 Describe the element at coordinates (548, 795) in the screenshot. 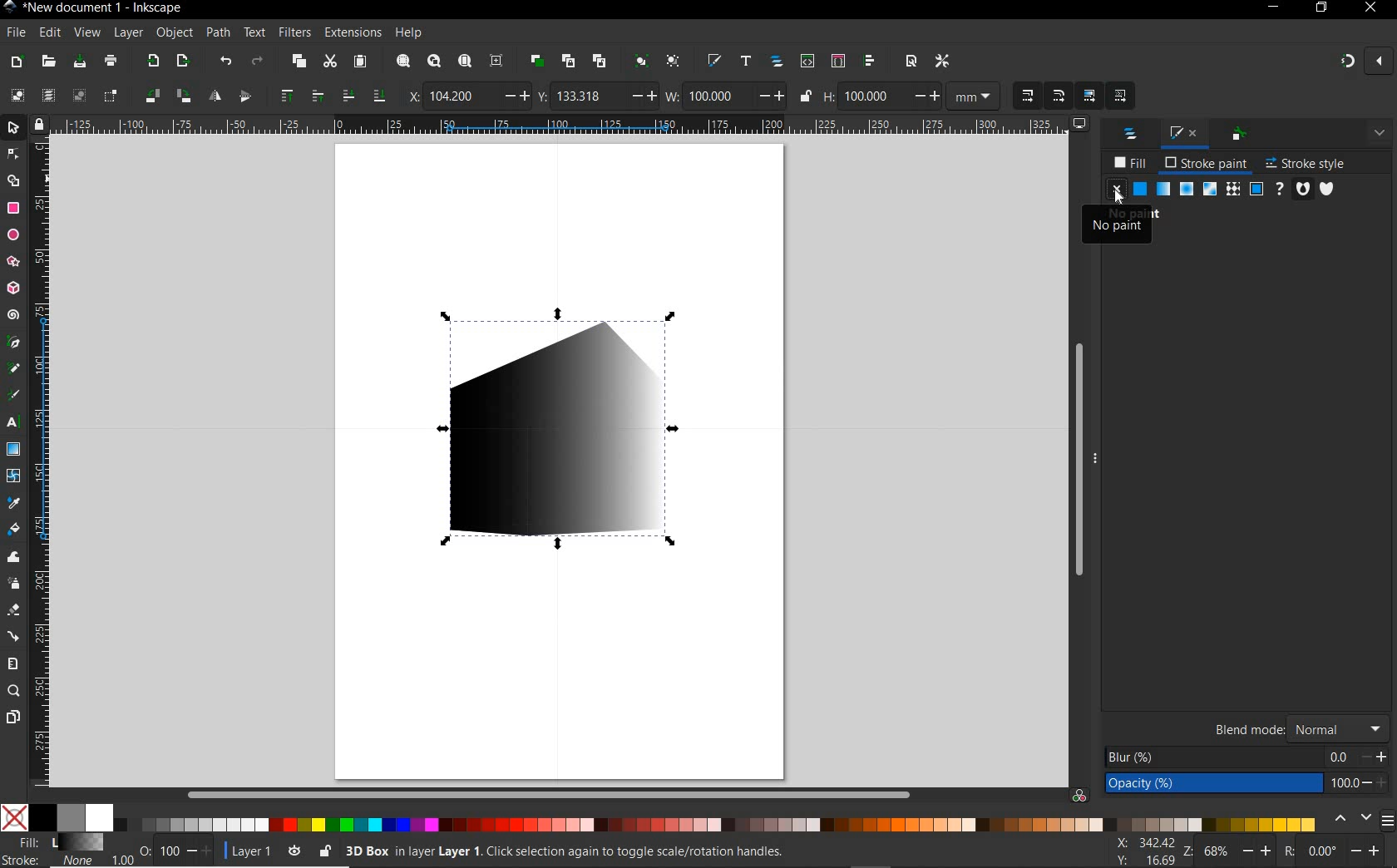

I see `SCROLLBAR` at that location.